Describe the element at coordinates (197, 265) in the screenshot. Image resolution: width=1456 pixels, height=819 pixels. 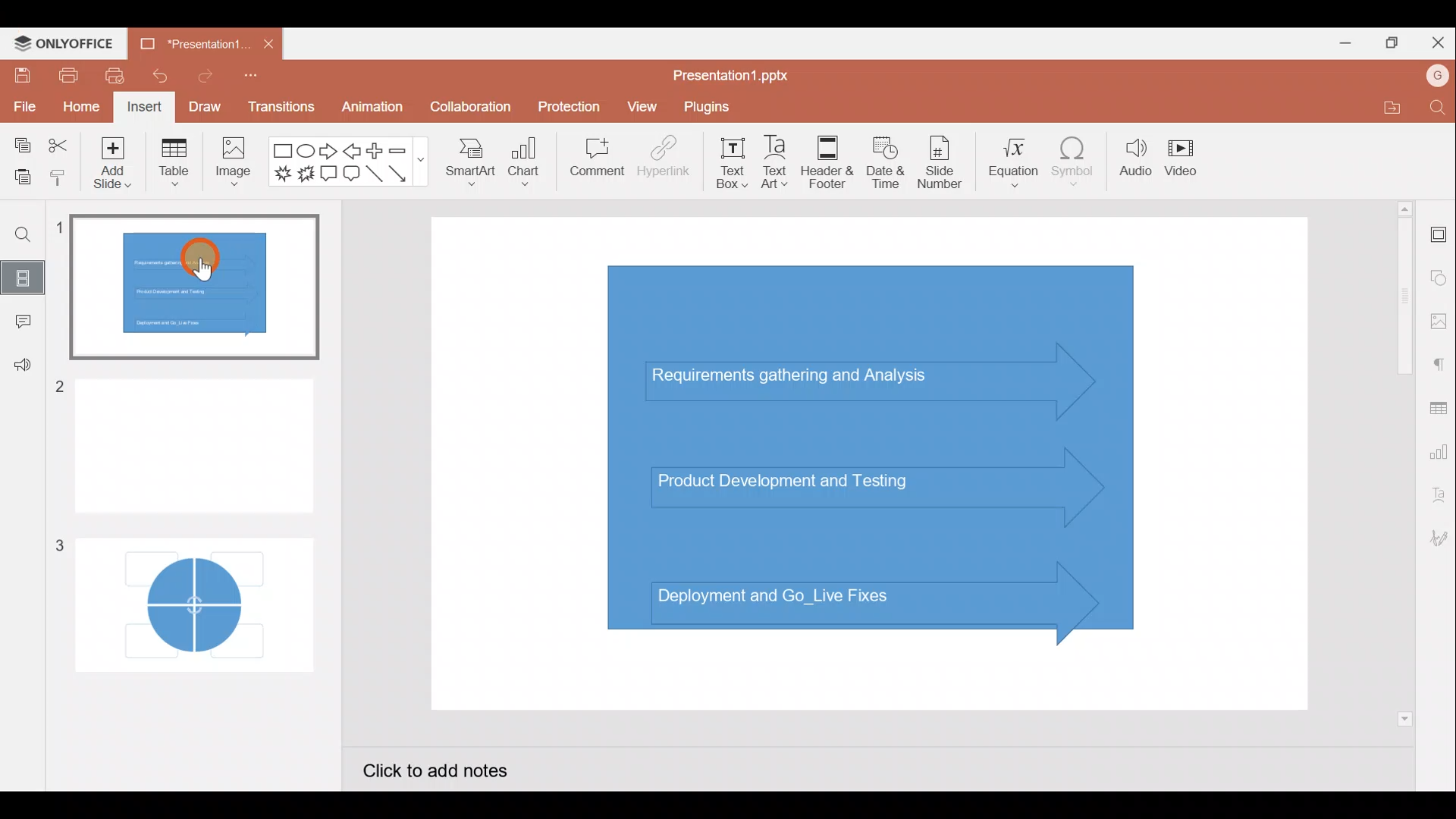
I see `Cursor on slide 1` at that location.